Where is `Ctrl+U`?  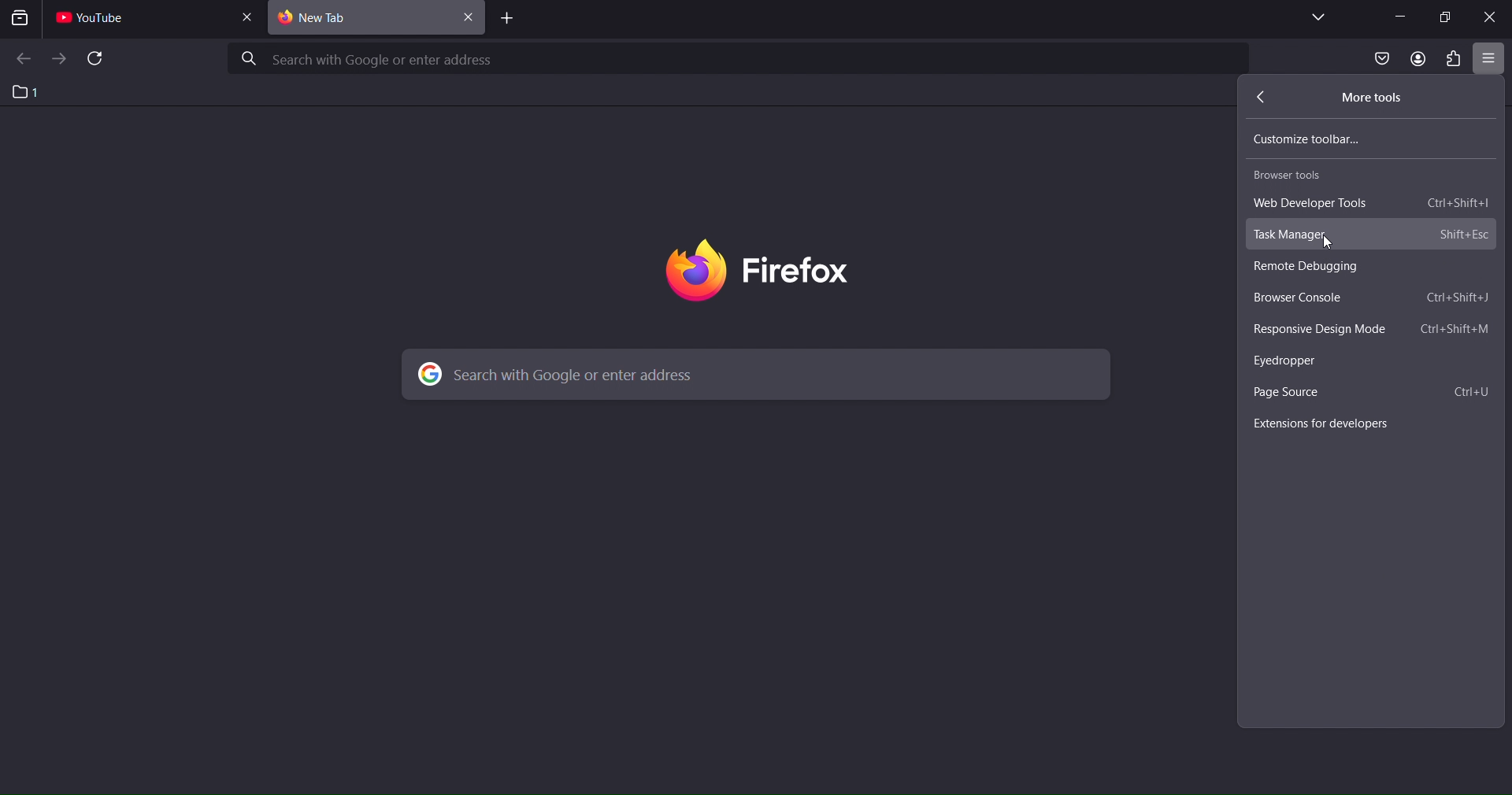 Ctrl+U is located at coordinates (1472, 393).